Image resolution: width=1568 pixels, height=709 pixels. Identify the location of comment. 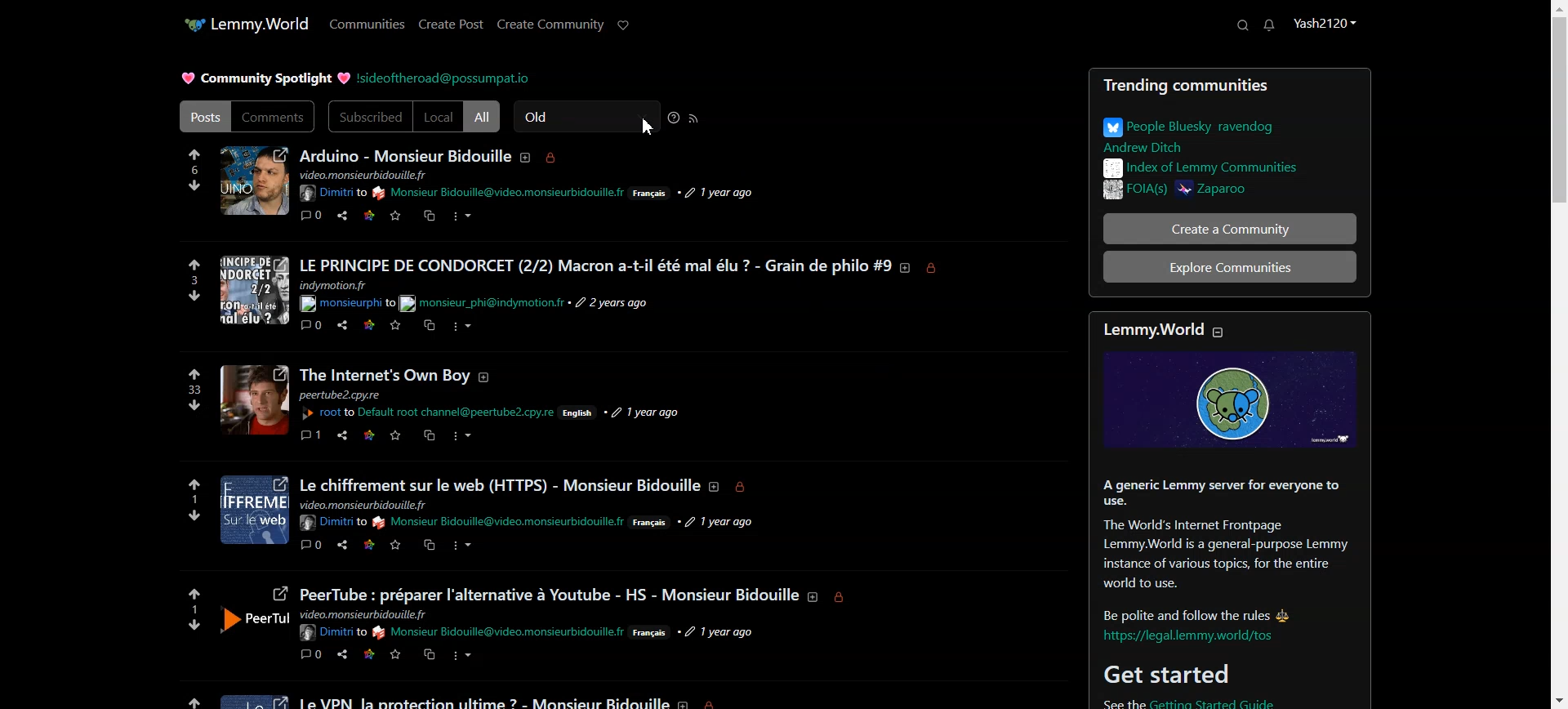
(312, 543).